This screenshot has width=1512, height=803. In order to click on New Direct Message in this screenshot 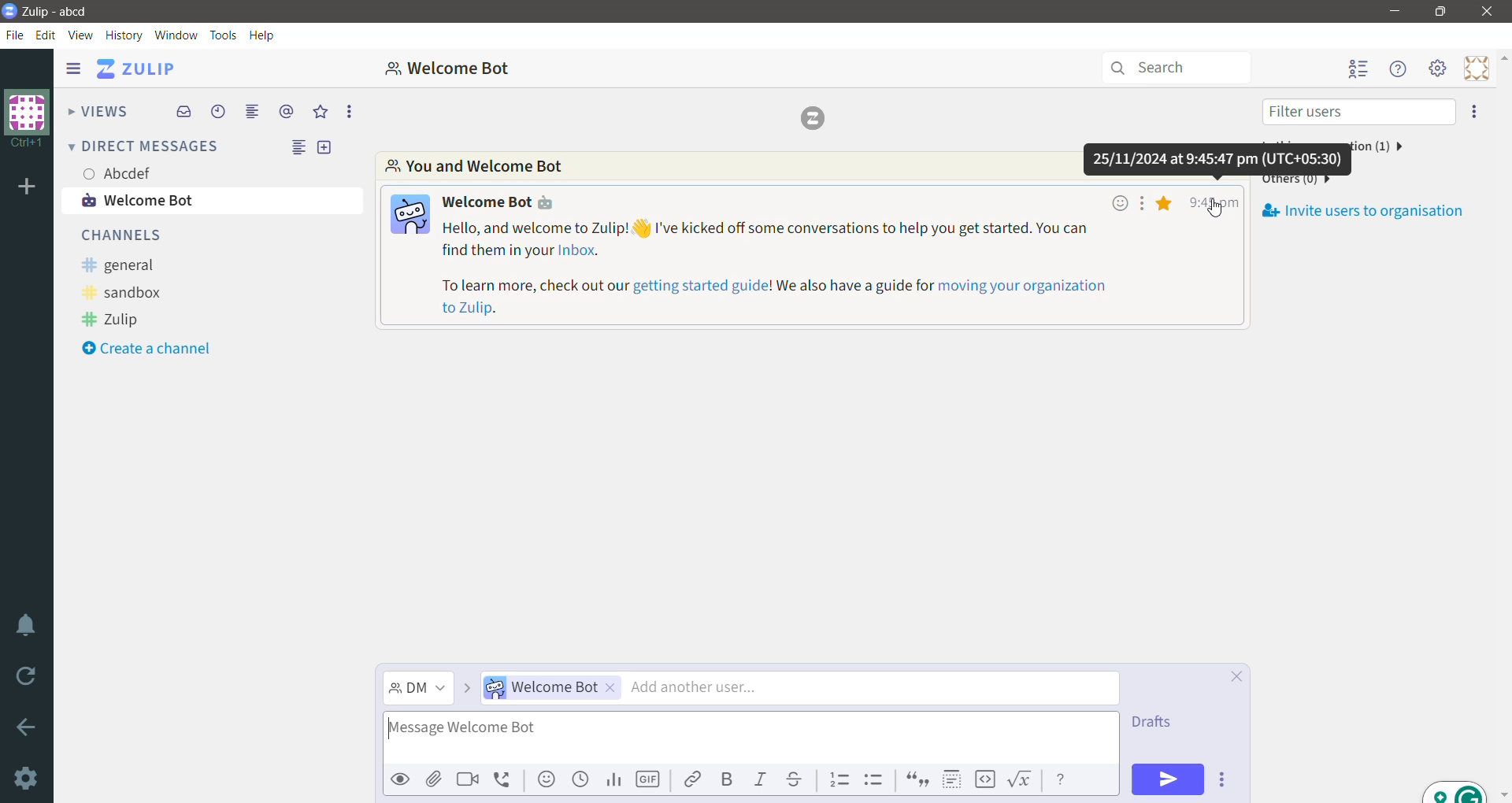, I will do `click(328, 149)`.